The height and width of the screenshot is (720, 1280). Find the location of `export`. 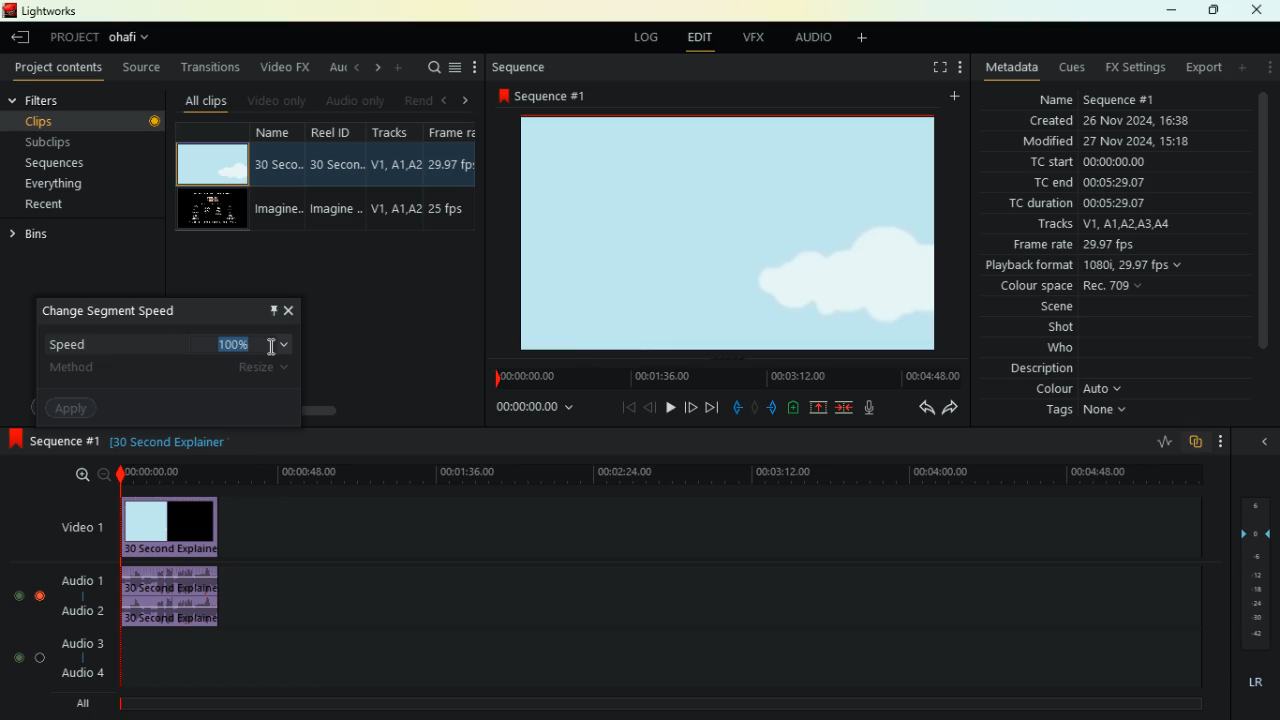

export is located at coordinates (1203, 68).